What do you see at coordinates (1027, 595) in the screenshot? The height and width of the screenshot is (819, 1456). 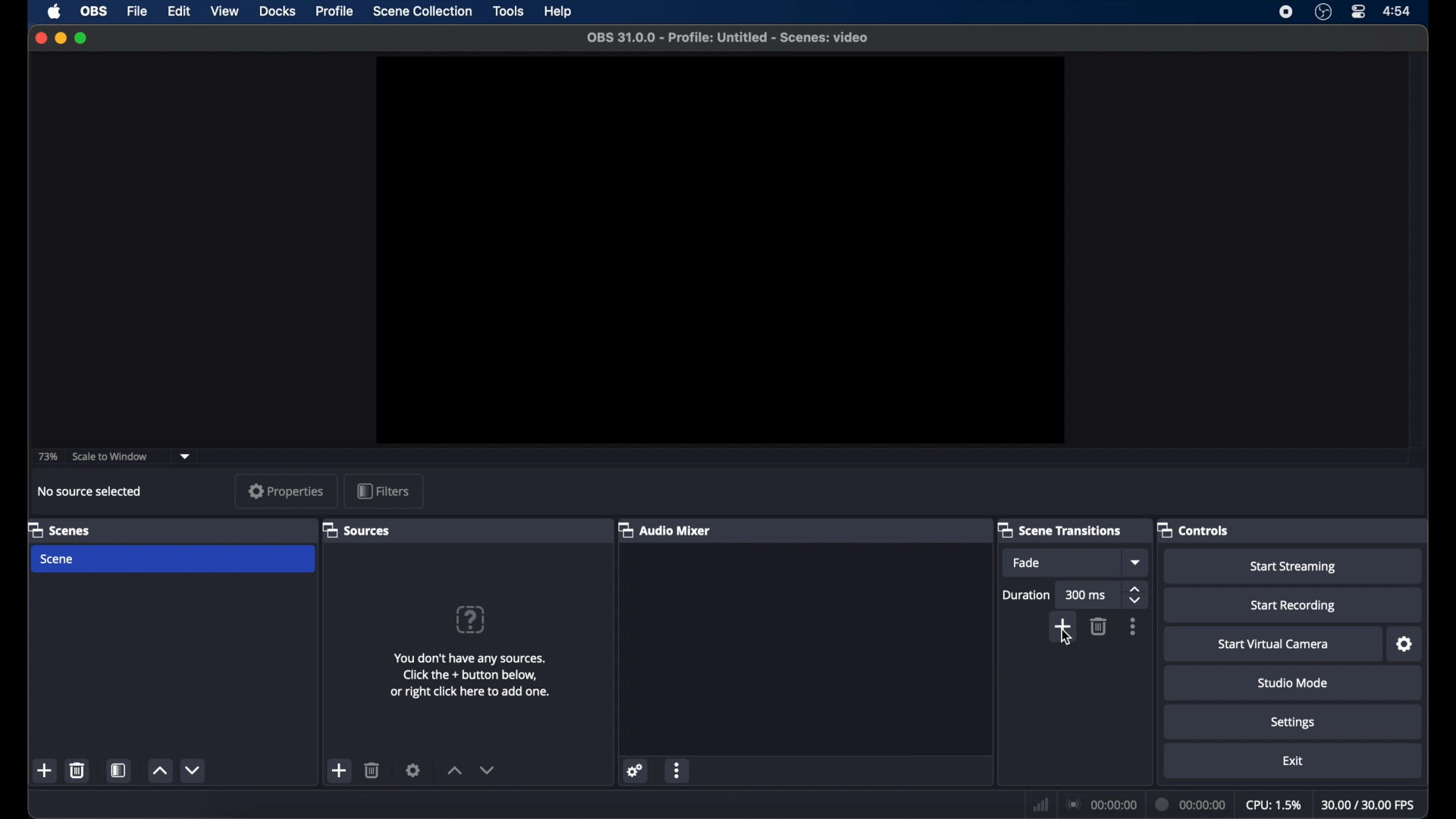 I see `duration` at bounding box center [1027, 595].